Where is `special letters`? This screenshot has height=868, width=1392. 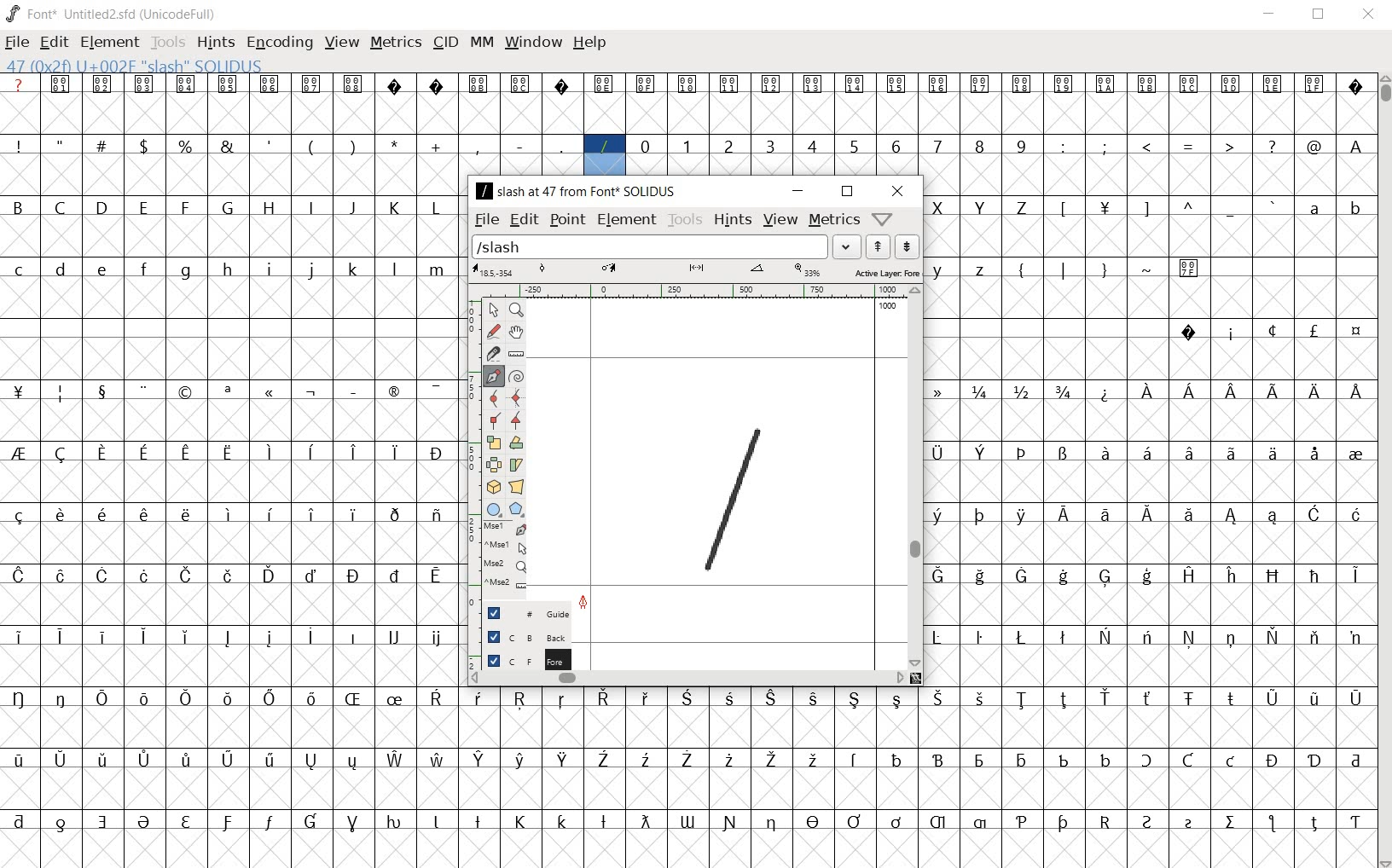 special letters is located at coordinates (1147, 635).